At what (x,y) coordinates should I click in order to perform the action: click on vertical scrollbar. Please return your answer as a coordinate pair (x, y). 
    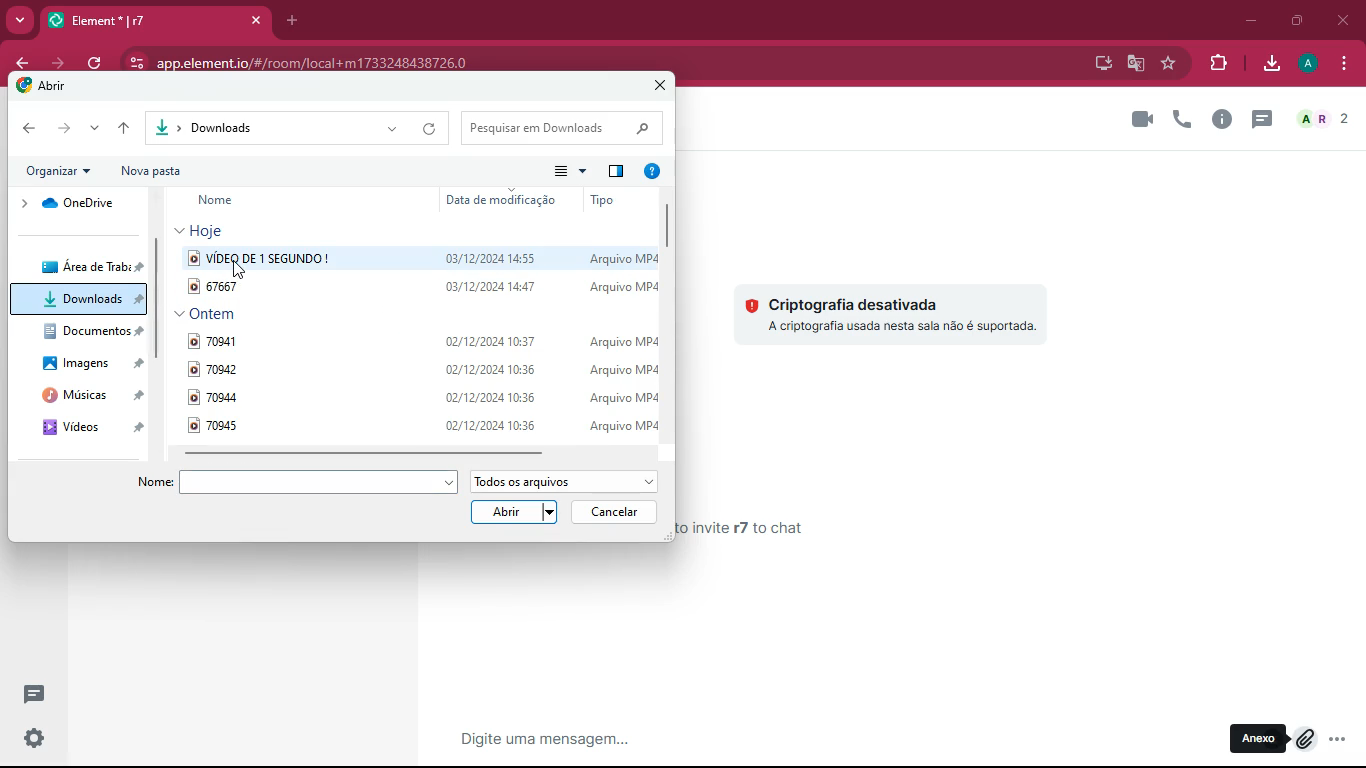
    Looking at the image, I should click on (159, 298).